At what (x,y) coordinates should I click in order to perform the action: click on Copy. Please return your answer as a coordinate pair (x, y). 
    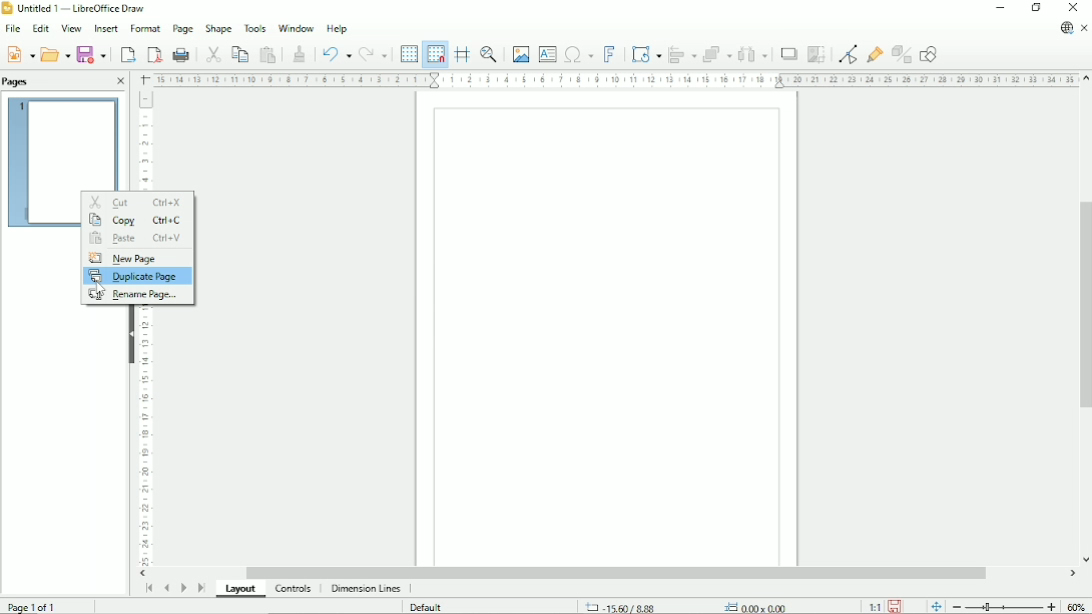
    Looking at the image, I should click on (239, 53).